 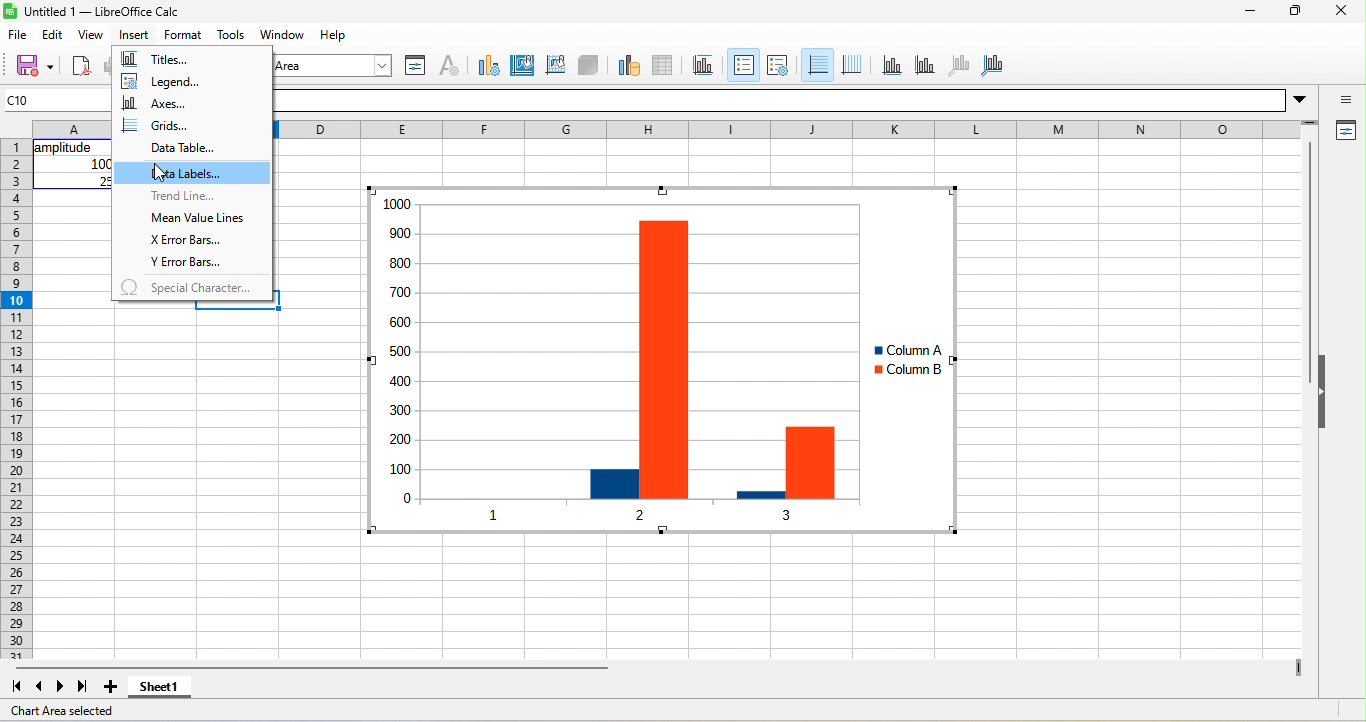 What do you see at coordinates (1340, 13) in the screenshot?
I see `close` at bounding box center [1340, 13].